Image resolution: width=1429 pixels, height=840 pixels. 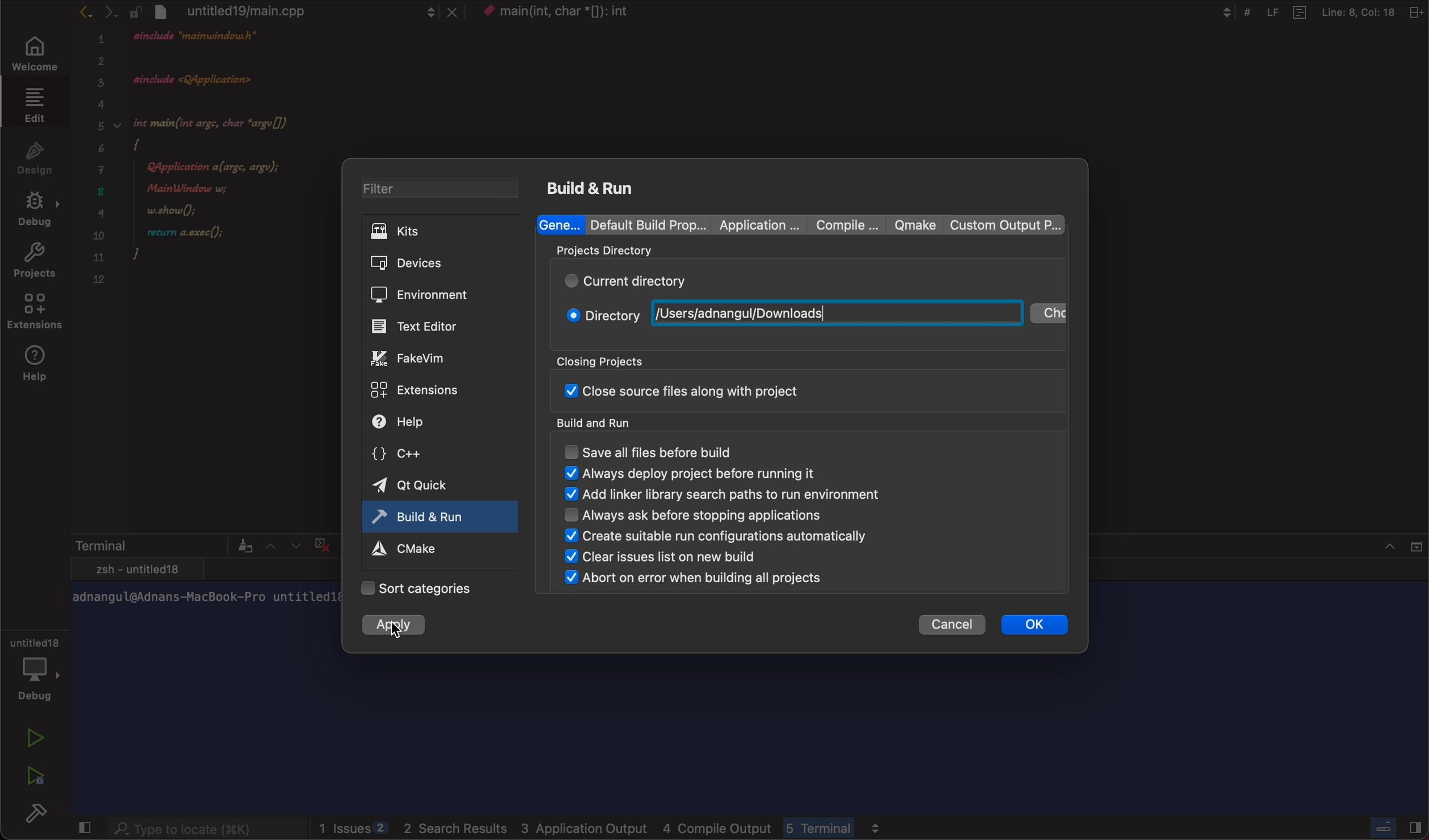 What do you see at coordinates (206, 157) in the screenshot?
I see `code` at bounding box center [206, 157].